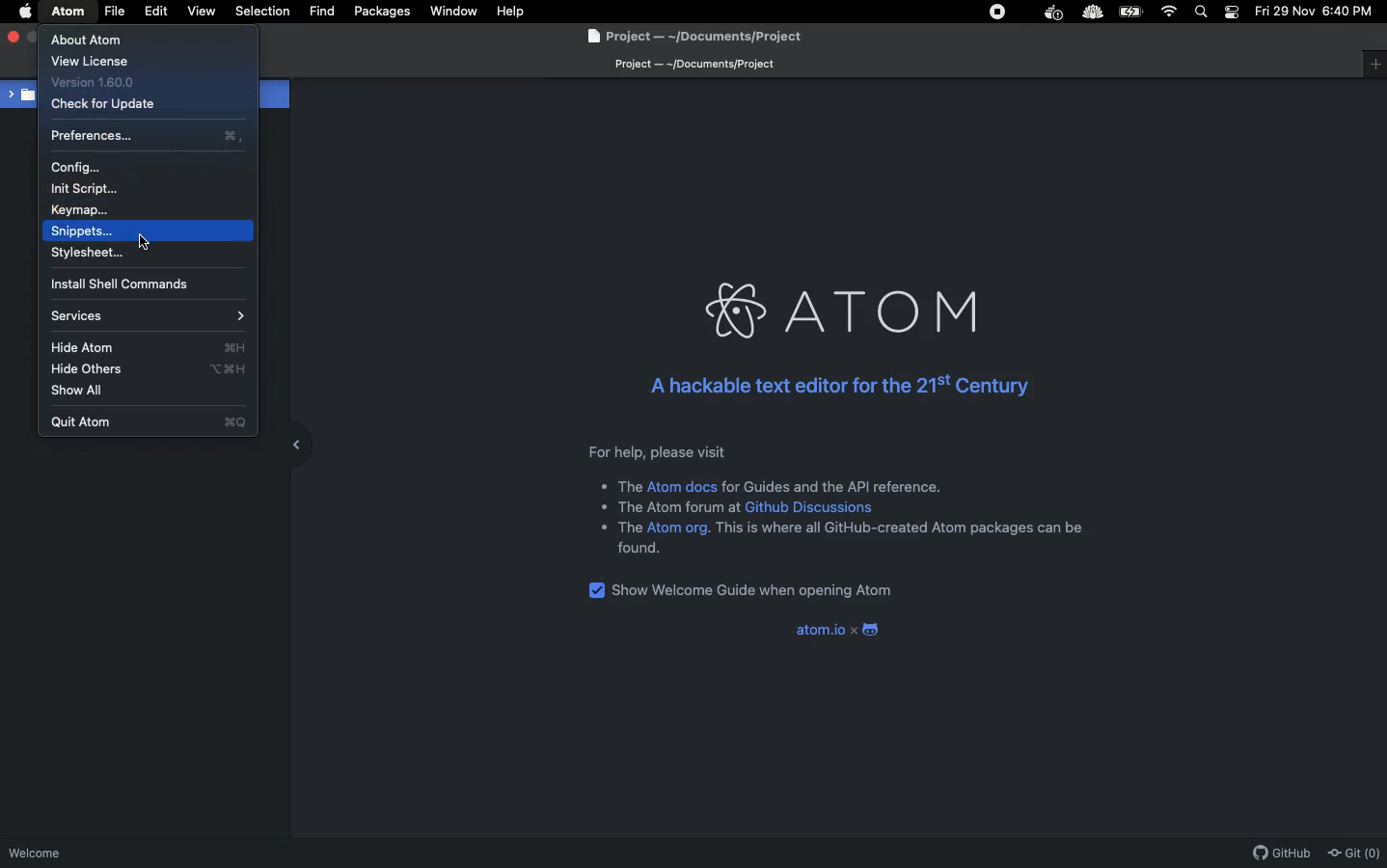  Describe the element at coordinates (150, 346) in the screenshot. I see `Hide Atom` at that location.